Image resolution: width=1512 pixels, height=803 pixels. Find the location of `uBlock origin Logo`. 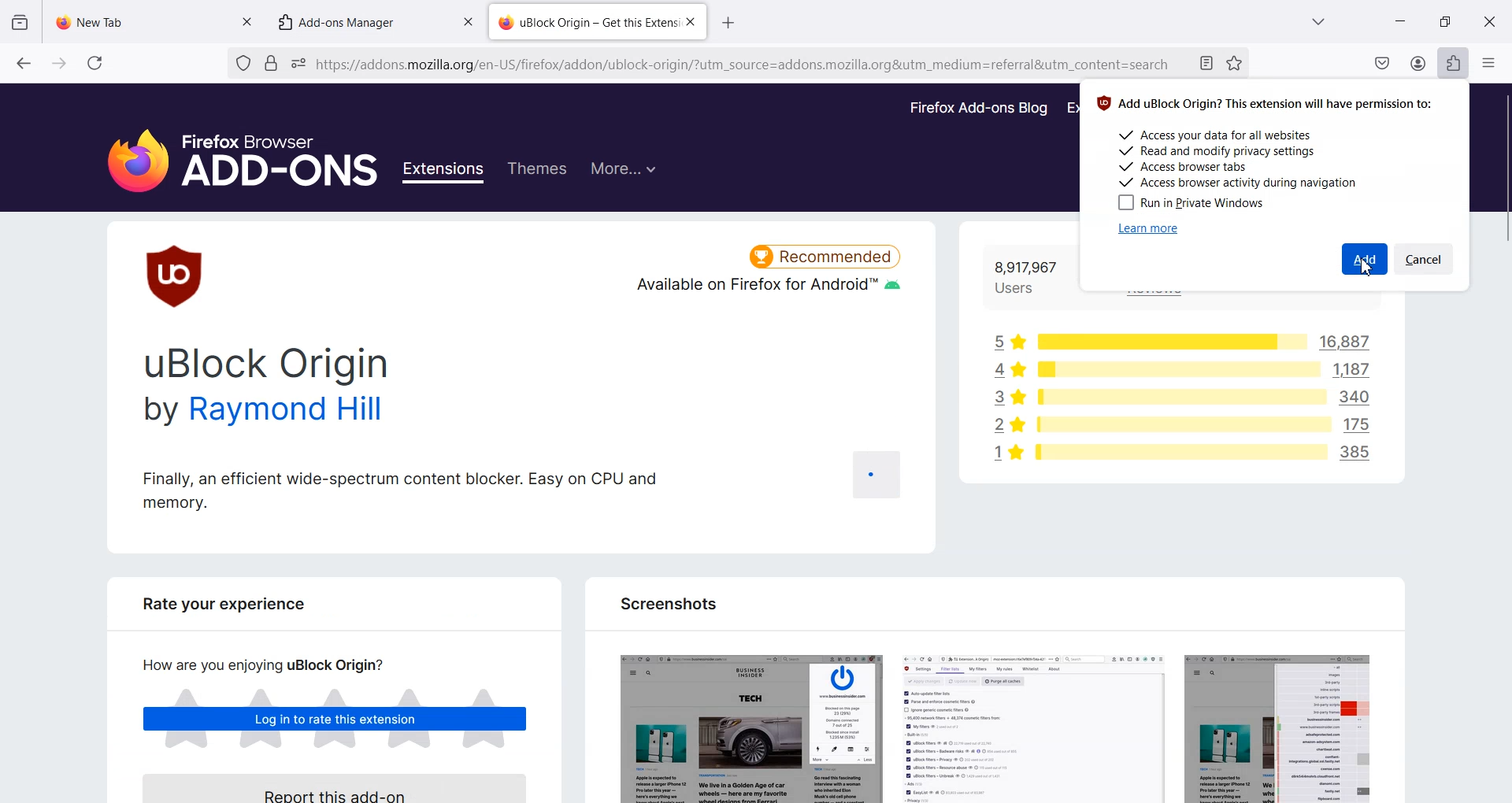

uBlock origin Logo is located at coordinates (176, 276).